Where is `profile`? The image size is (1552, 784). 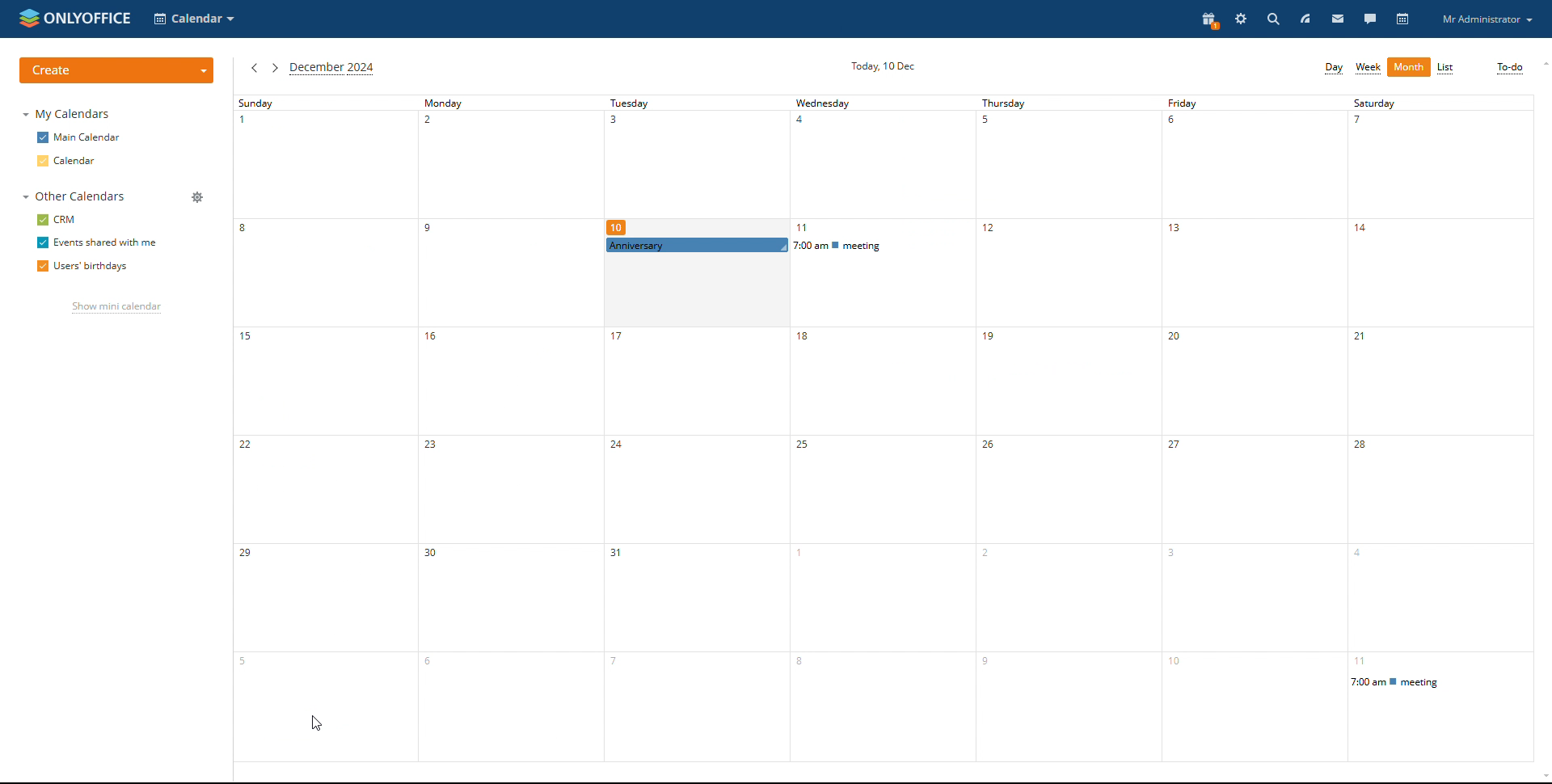
profile is located at coordinates (1486, 19).